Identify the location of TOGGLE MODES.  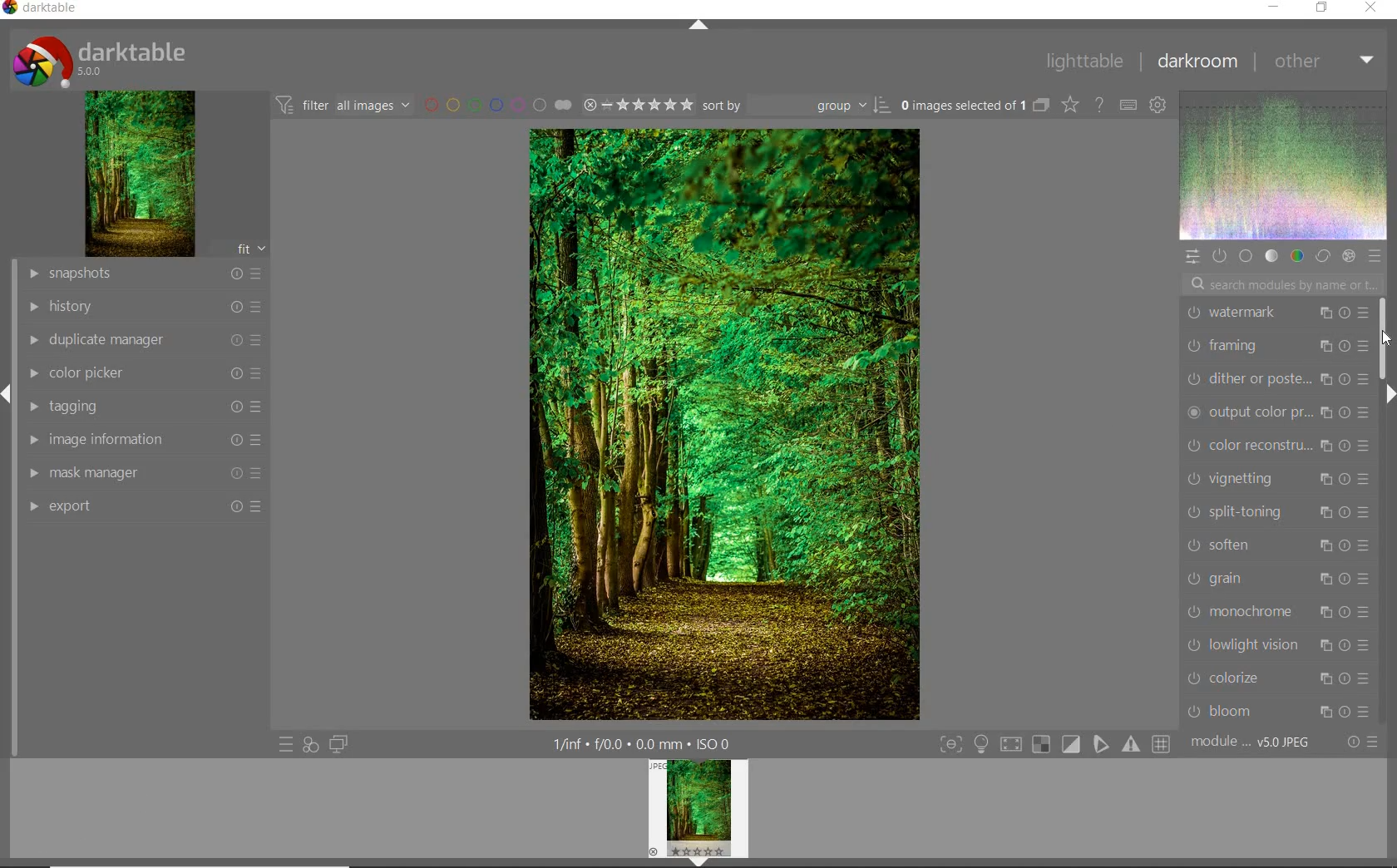
(1054, 745).